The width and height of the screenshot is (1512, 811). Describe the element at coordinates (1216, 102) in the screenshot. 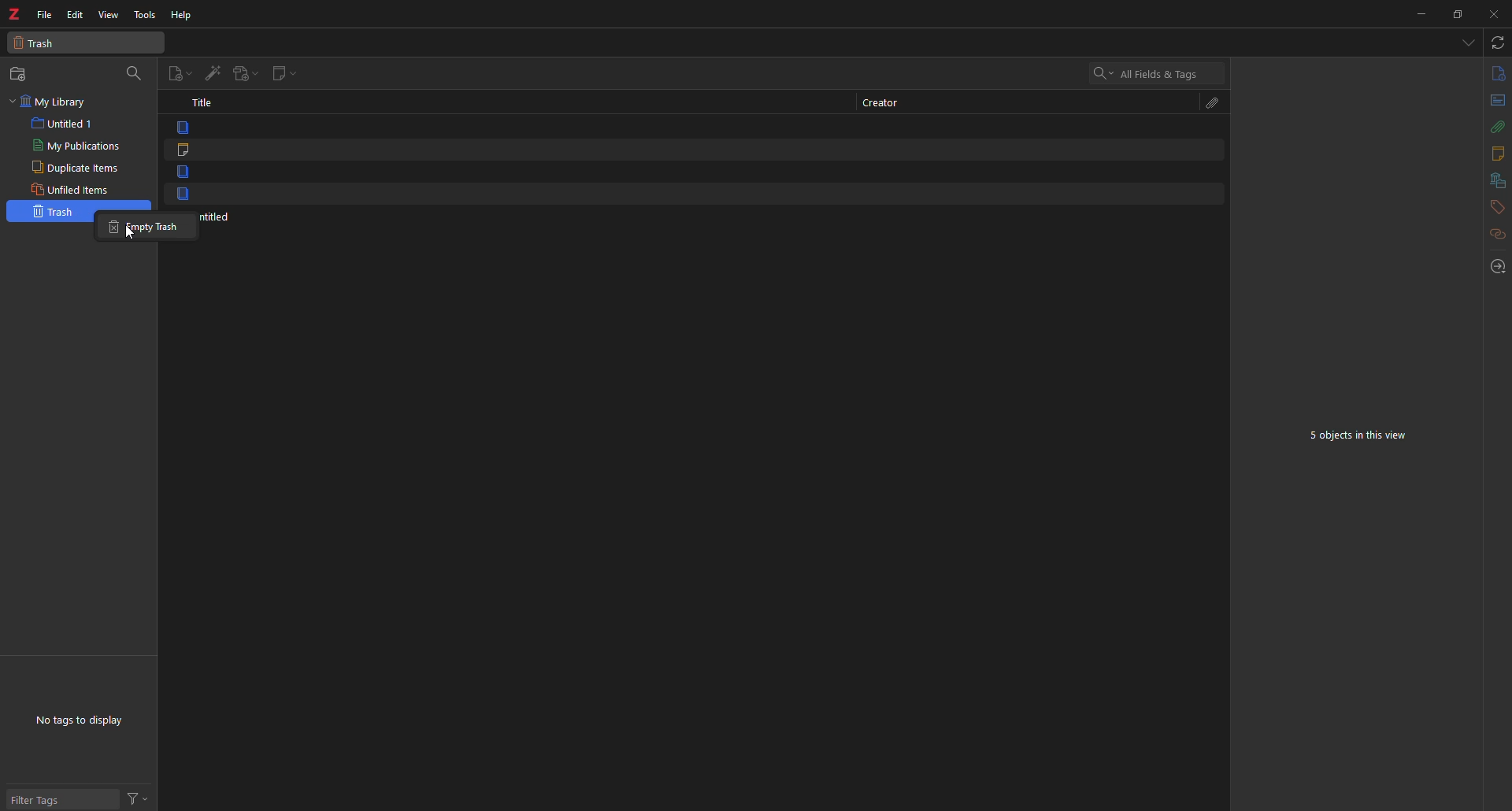

I see `attach` at that location.